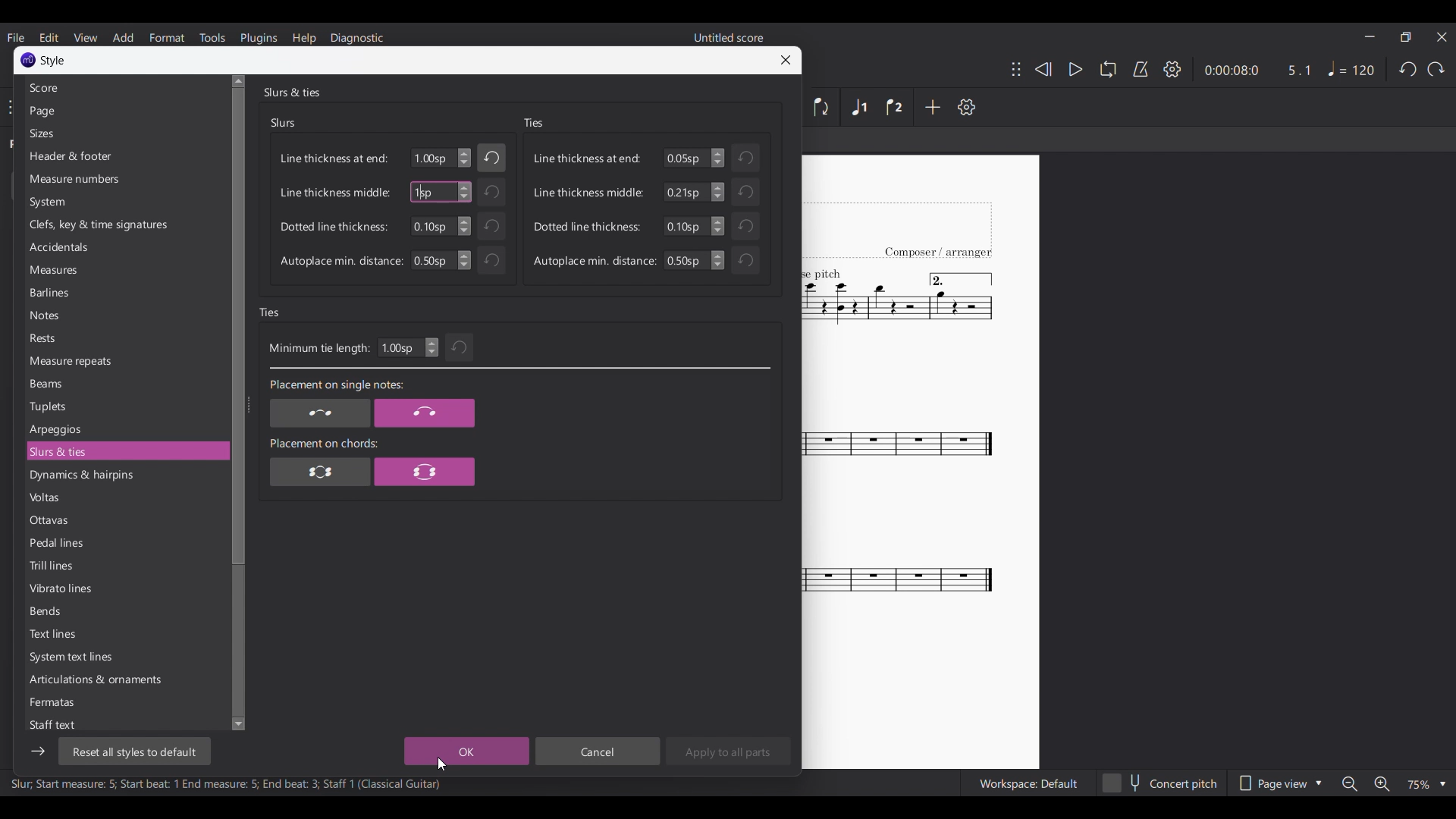 The height and width of the screenshot is (819, 1456). What do you see at coordinates (304, 38) in the screenshot?
I see `Help menu` at bounding box center [304, 38].